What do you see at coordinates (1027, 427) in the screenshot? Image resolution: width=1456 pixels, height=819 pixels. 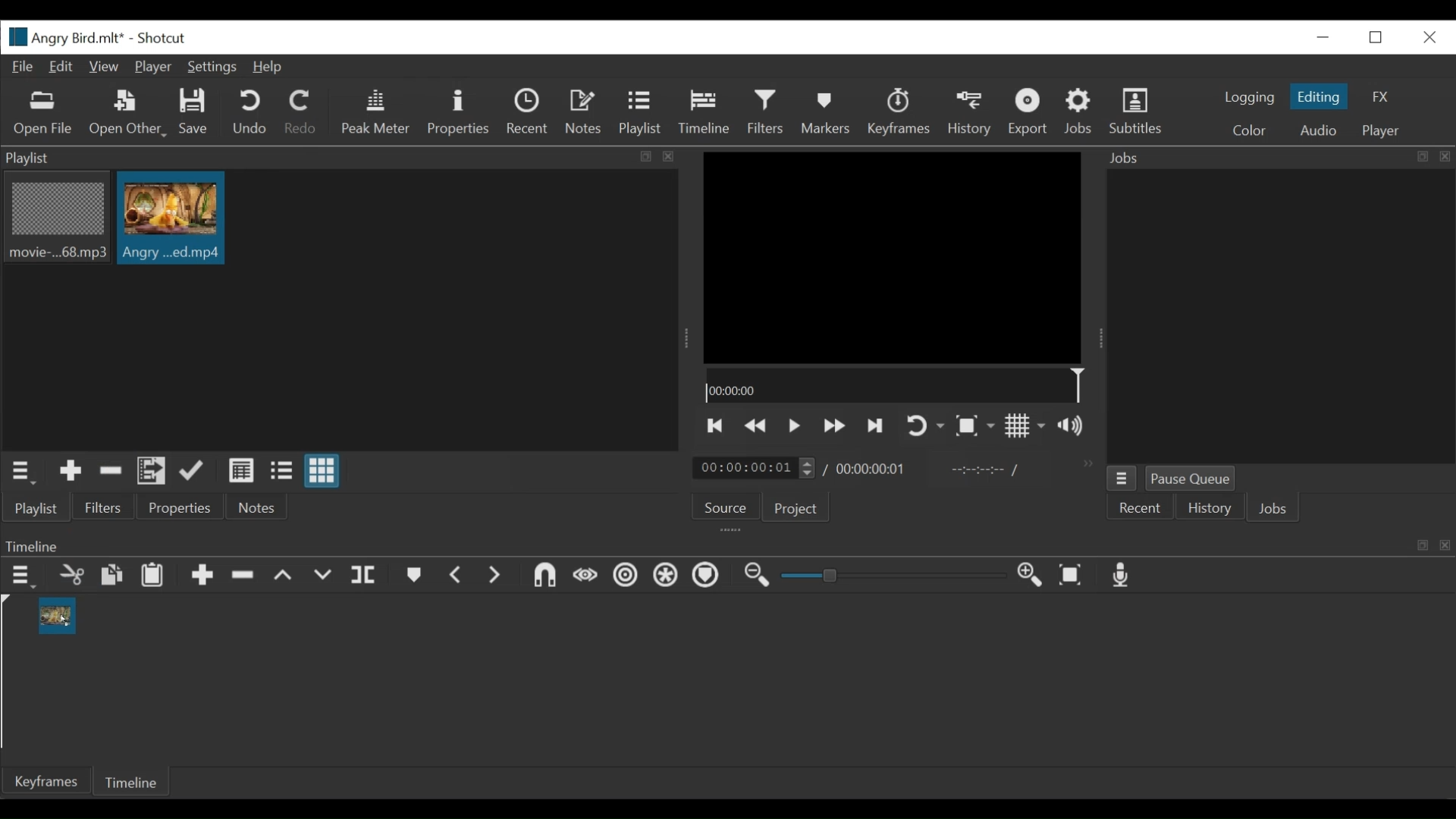 I see `Toggle display grid on player` at bounding box center [1027, 427].